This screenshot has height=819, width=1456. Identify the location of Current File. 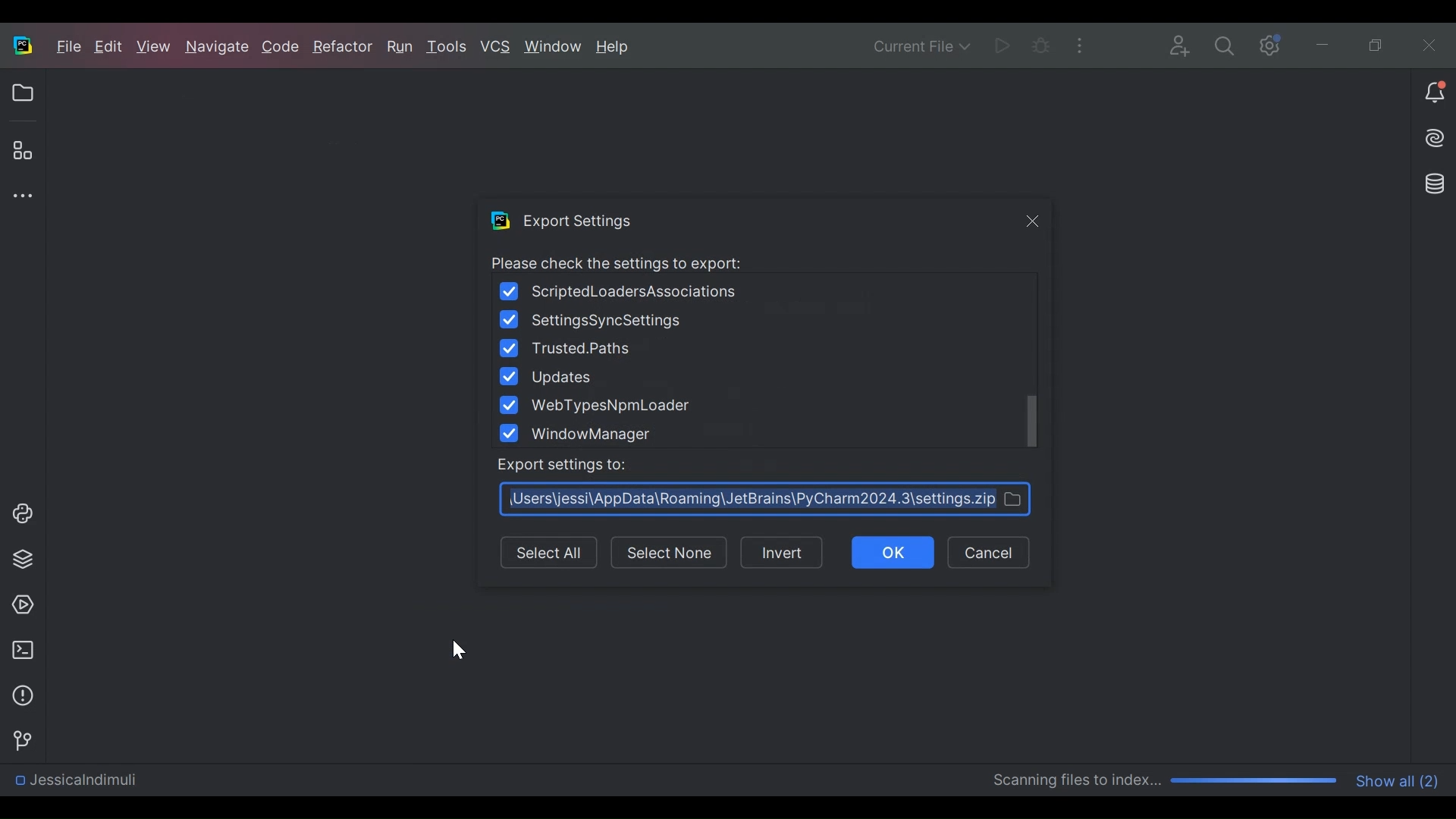
(923, 45).